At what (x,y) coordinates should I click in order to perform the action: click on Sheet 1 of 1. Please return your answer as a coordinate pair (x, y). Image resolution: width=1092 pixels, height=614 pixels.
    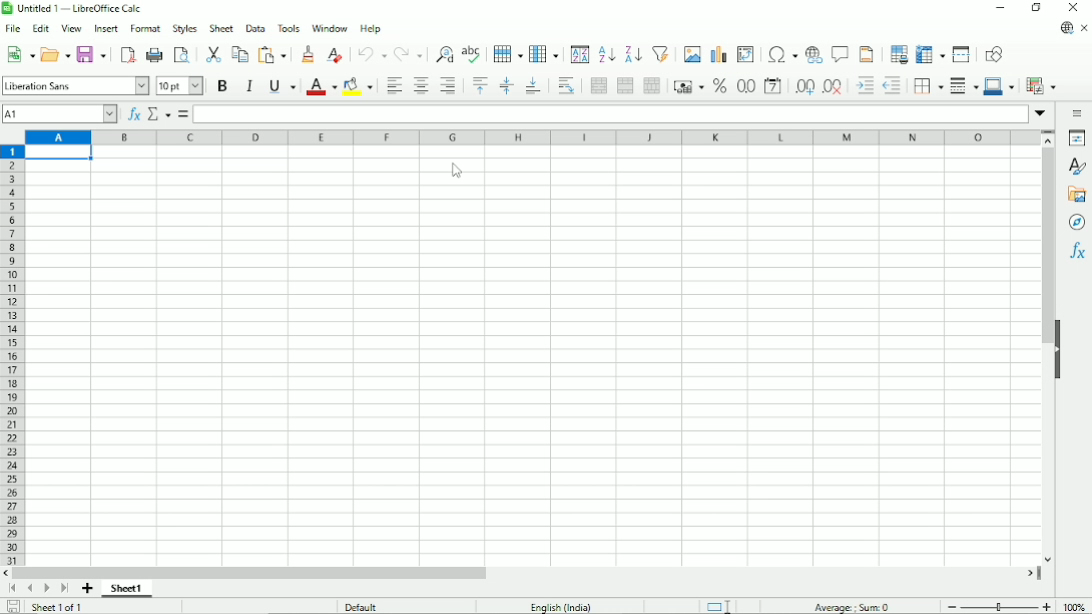
    Looking at the image, I should click on (59, 607).